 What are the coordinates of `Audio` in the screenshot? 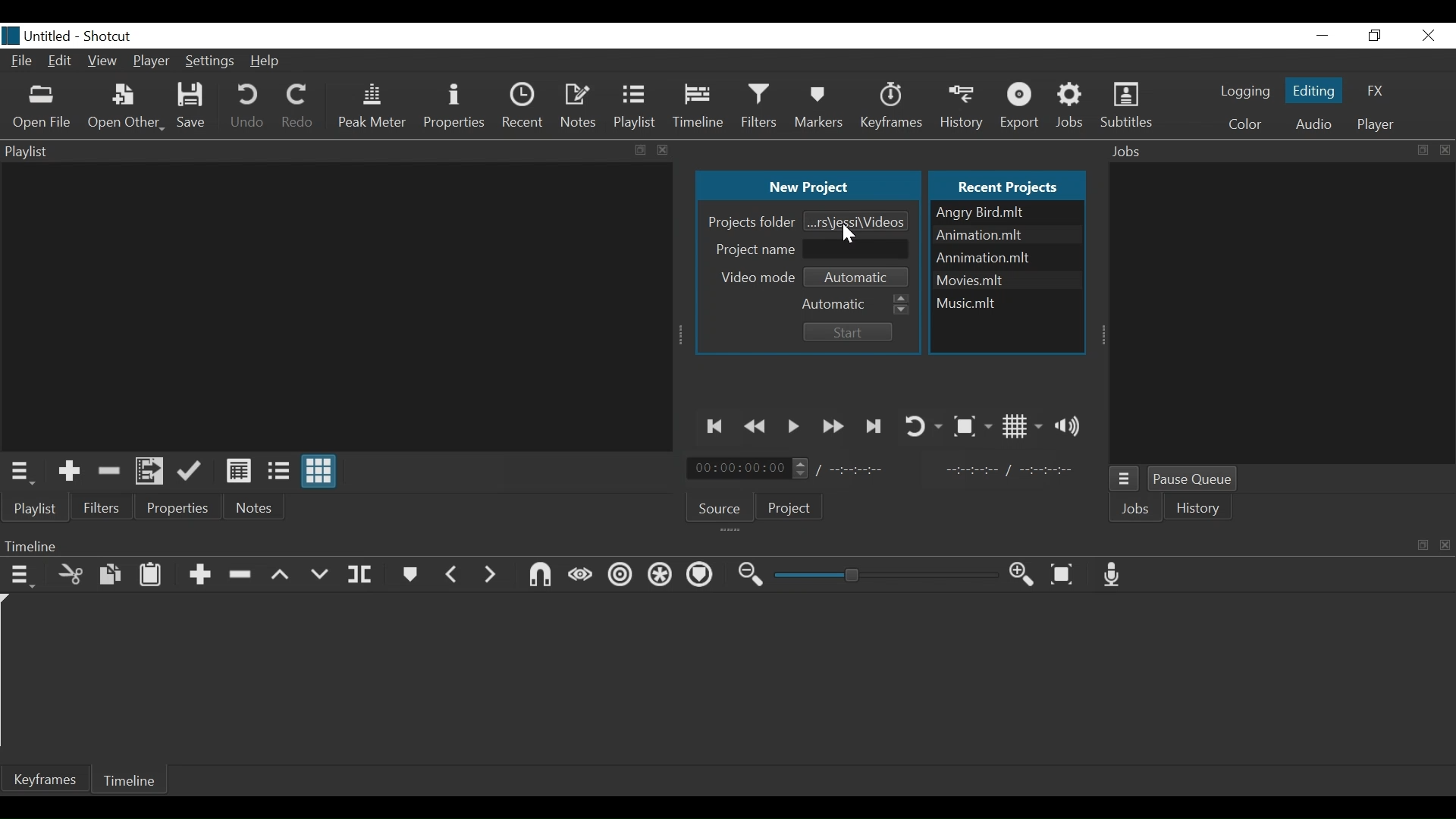 It's located at (1313, 124).